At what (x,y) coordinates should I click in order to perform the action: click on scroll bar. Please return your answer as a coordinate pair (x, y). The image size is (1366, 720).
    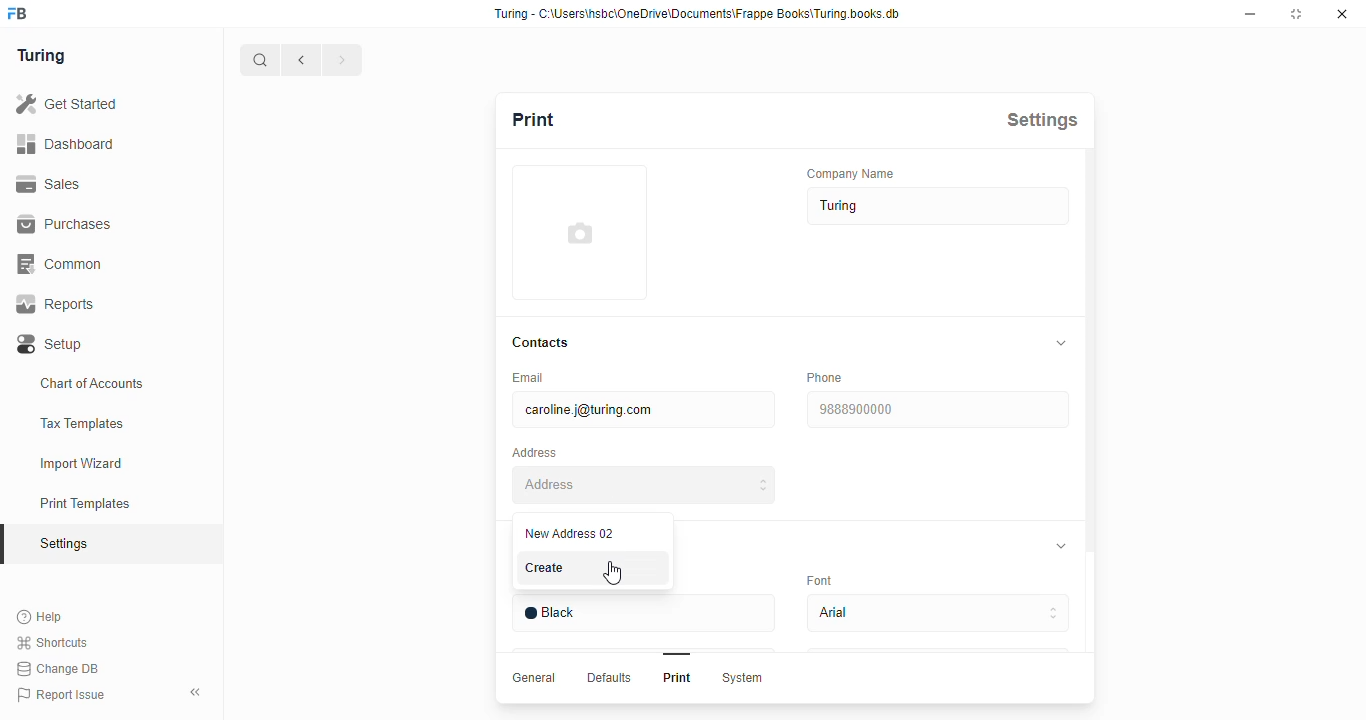
    Looking at the image, I should click on (1091, 426).